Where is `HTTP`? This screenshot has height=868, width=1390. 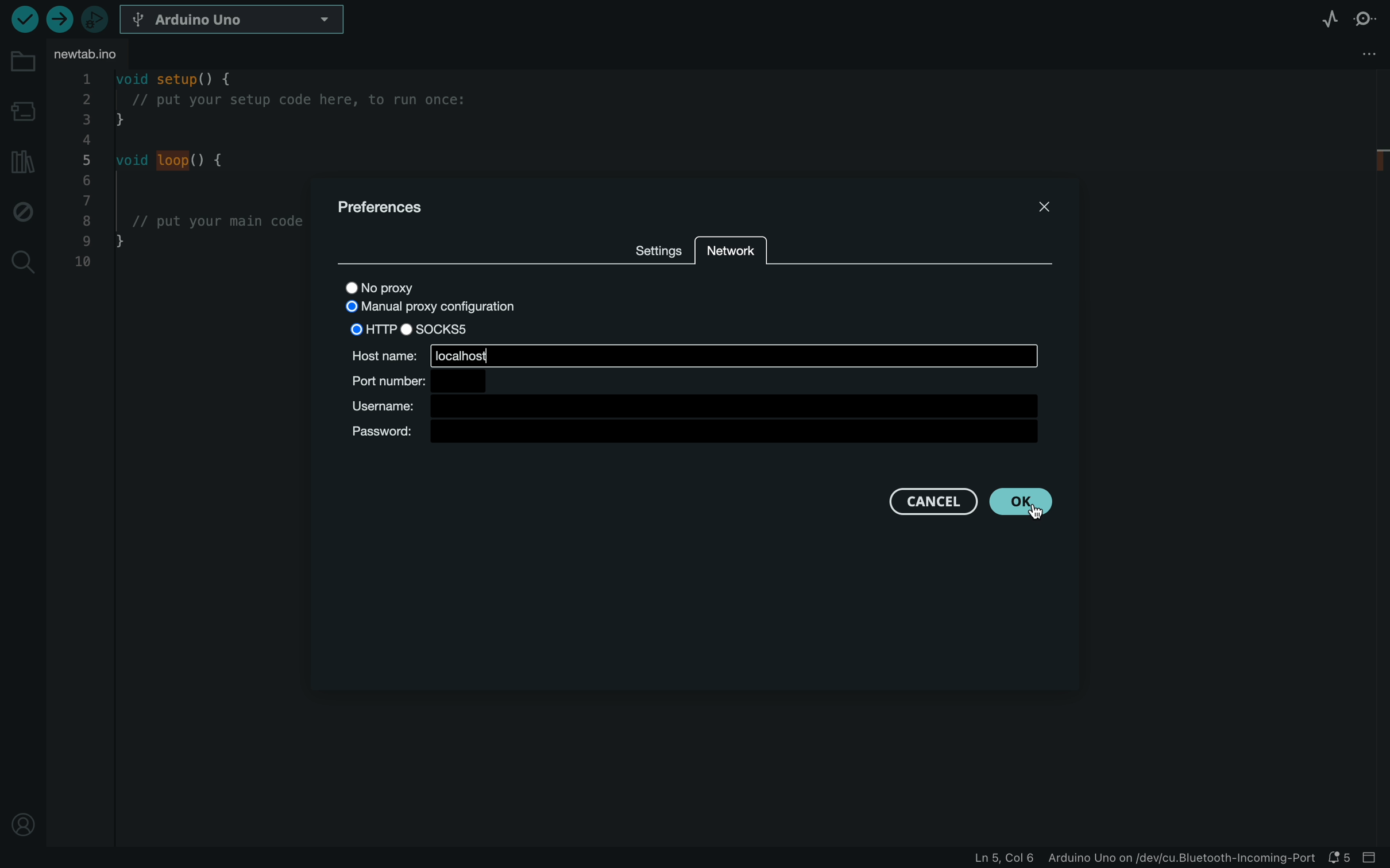 HTTP is located at coordinates (372, 327).